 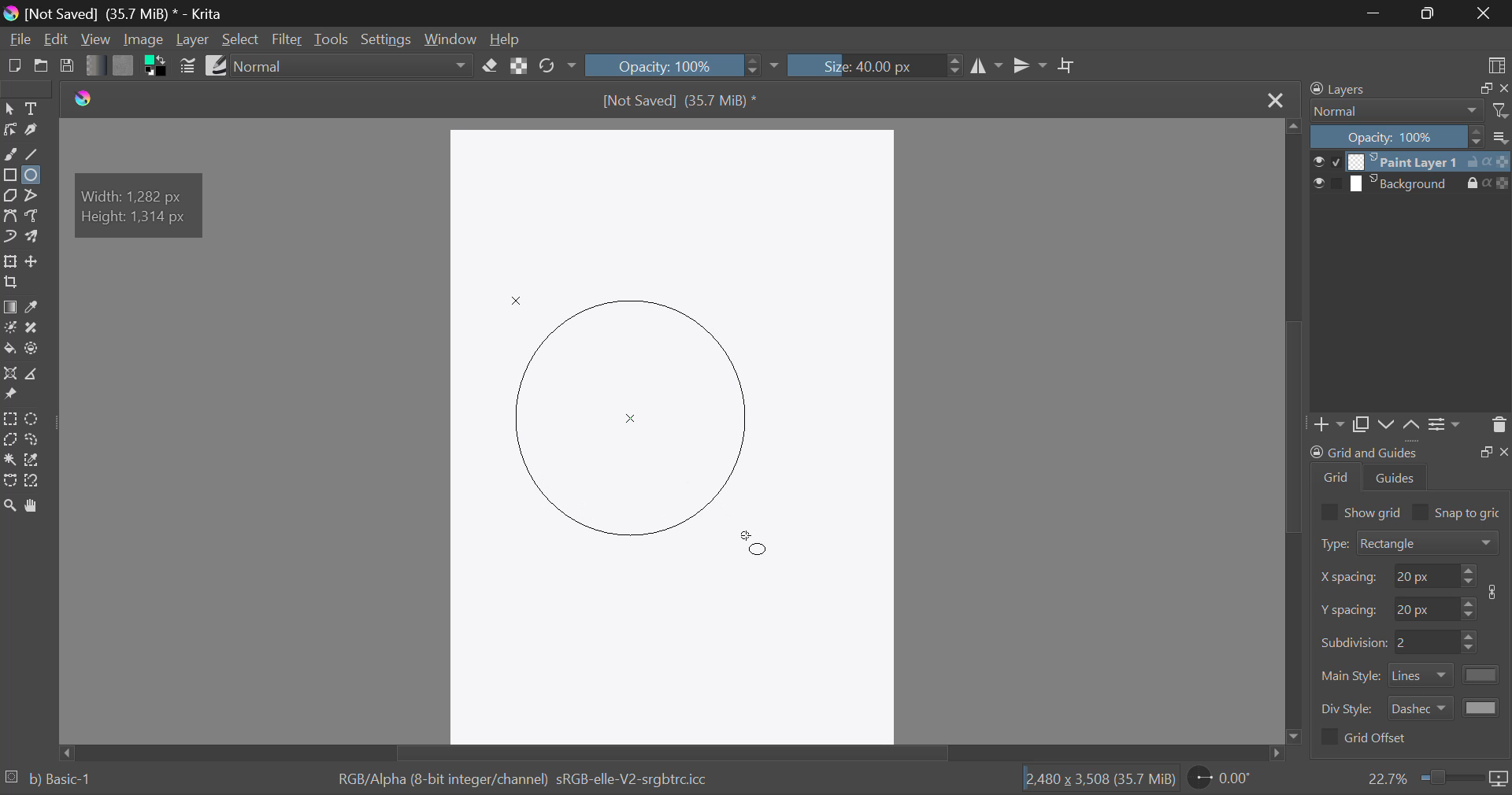 What do you see at coordinates (1296, 427) in the screenshot?
I see `Scroll Bar` at bounding box center [1296, 427].